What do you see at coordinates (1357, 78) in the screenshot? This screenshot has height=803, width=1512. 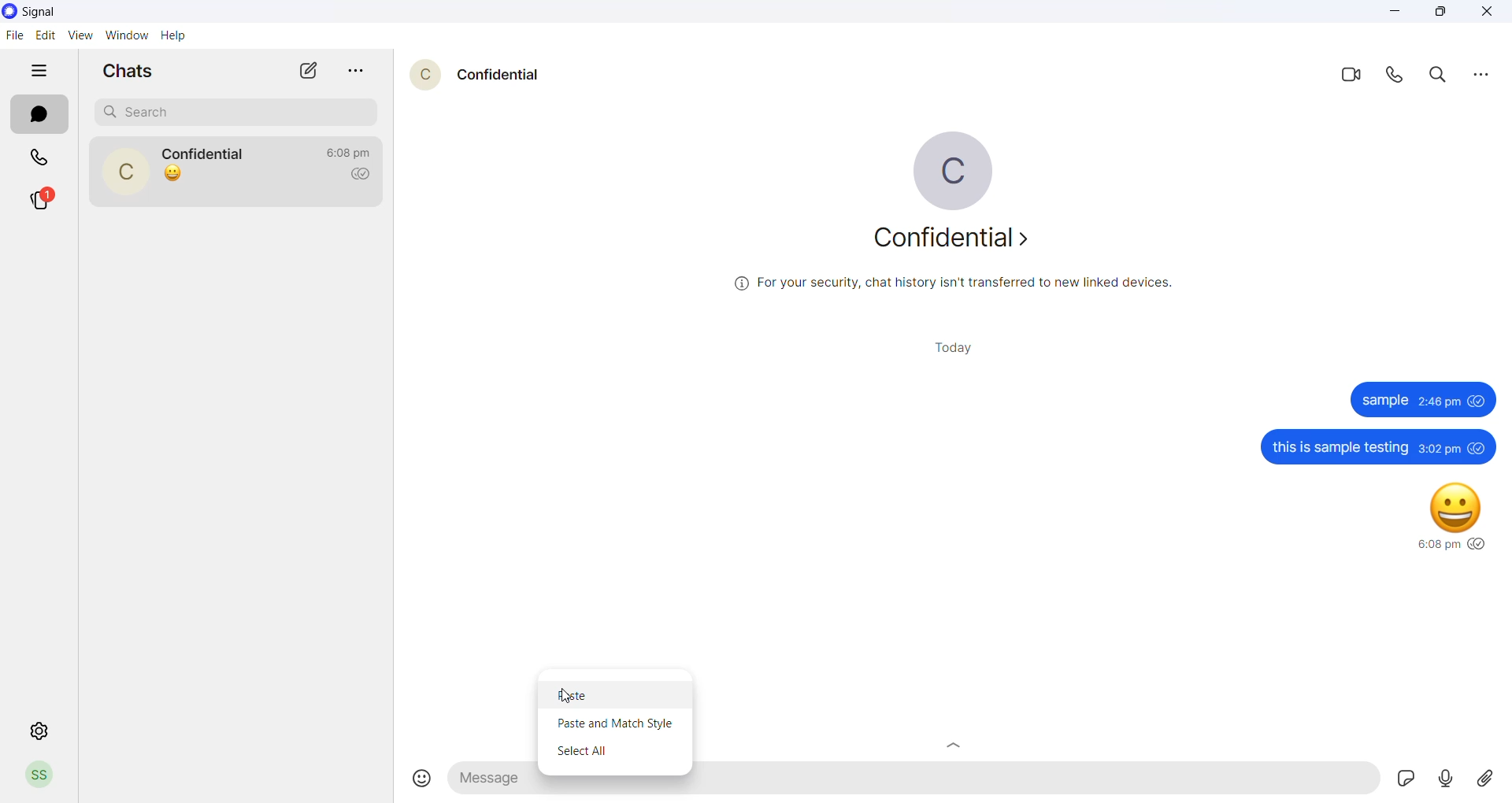 I see `video call` at bounding box center [1357, 78].